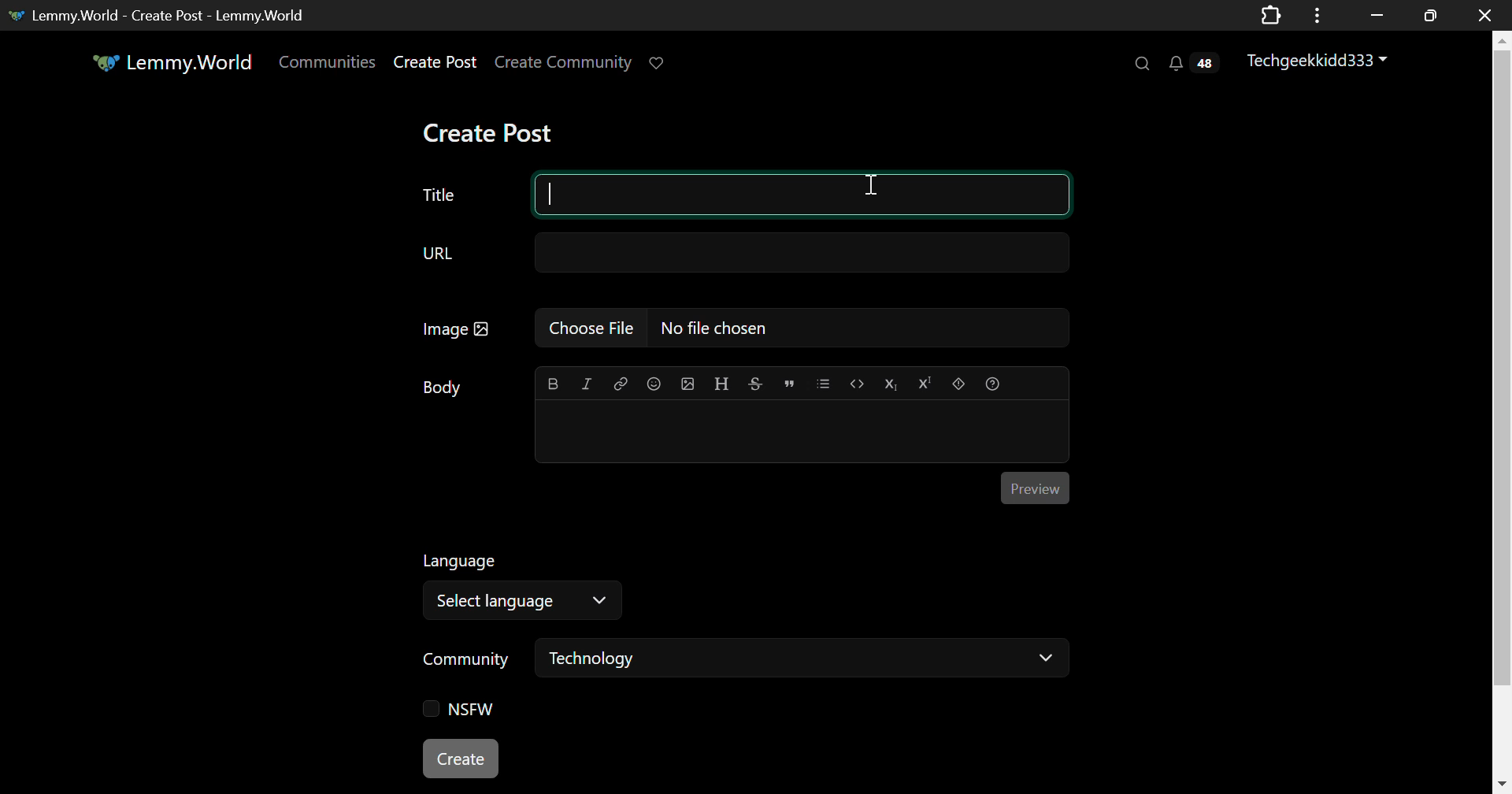 Image resolution: width=1512 pixels, height=794 pixels. Describe the element at coordinates (956, 383) in the screenshot. I see `spoiler` at that location.